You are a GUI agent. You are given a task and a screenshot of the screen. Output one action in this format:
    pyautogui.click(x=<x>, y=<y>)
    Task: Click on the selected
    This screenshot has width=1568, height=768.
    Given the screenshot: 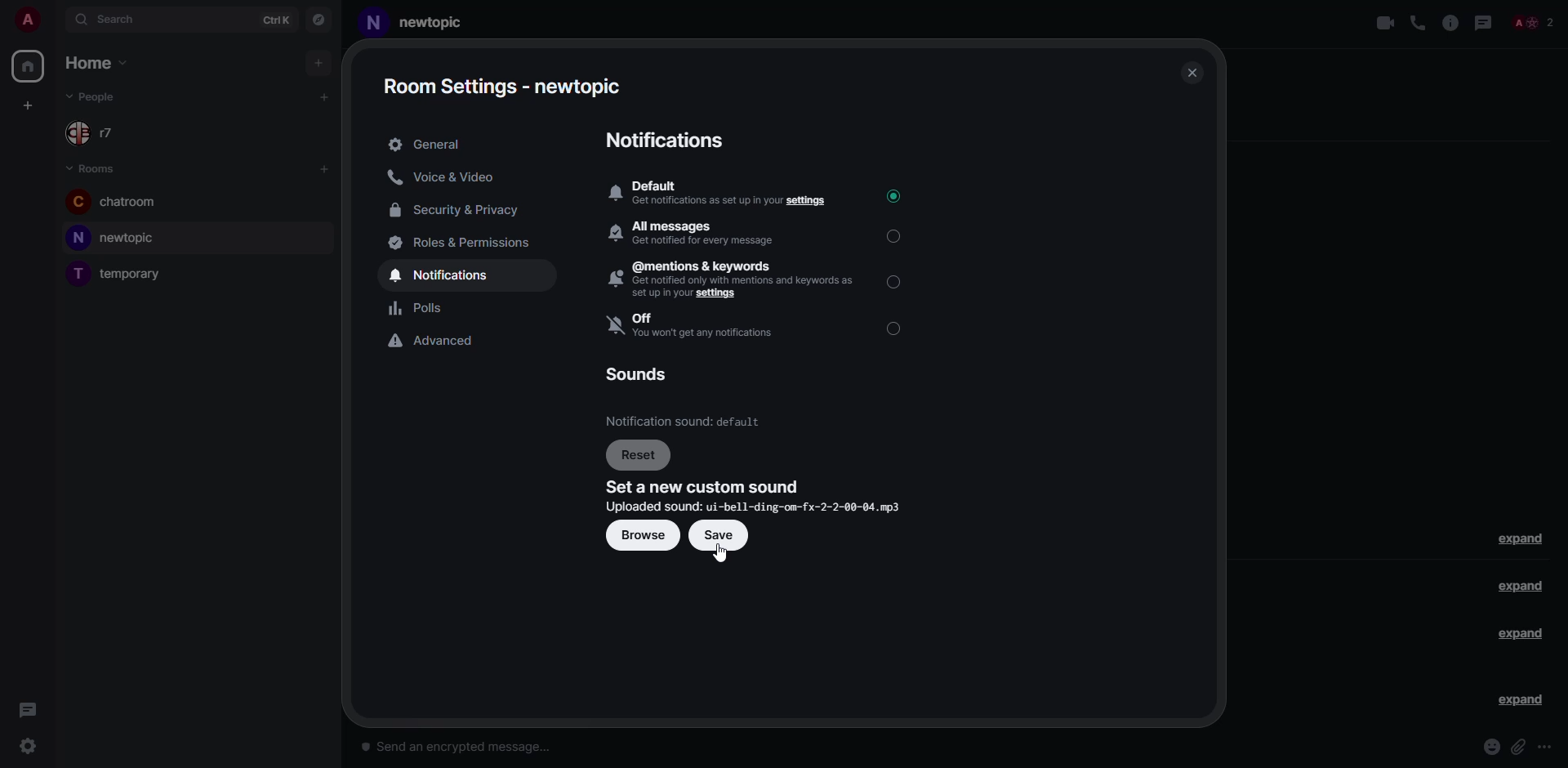 What is the action you would take?
    pyautogui.click(x=893, y=195)
    